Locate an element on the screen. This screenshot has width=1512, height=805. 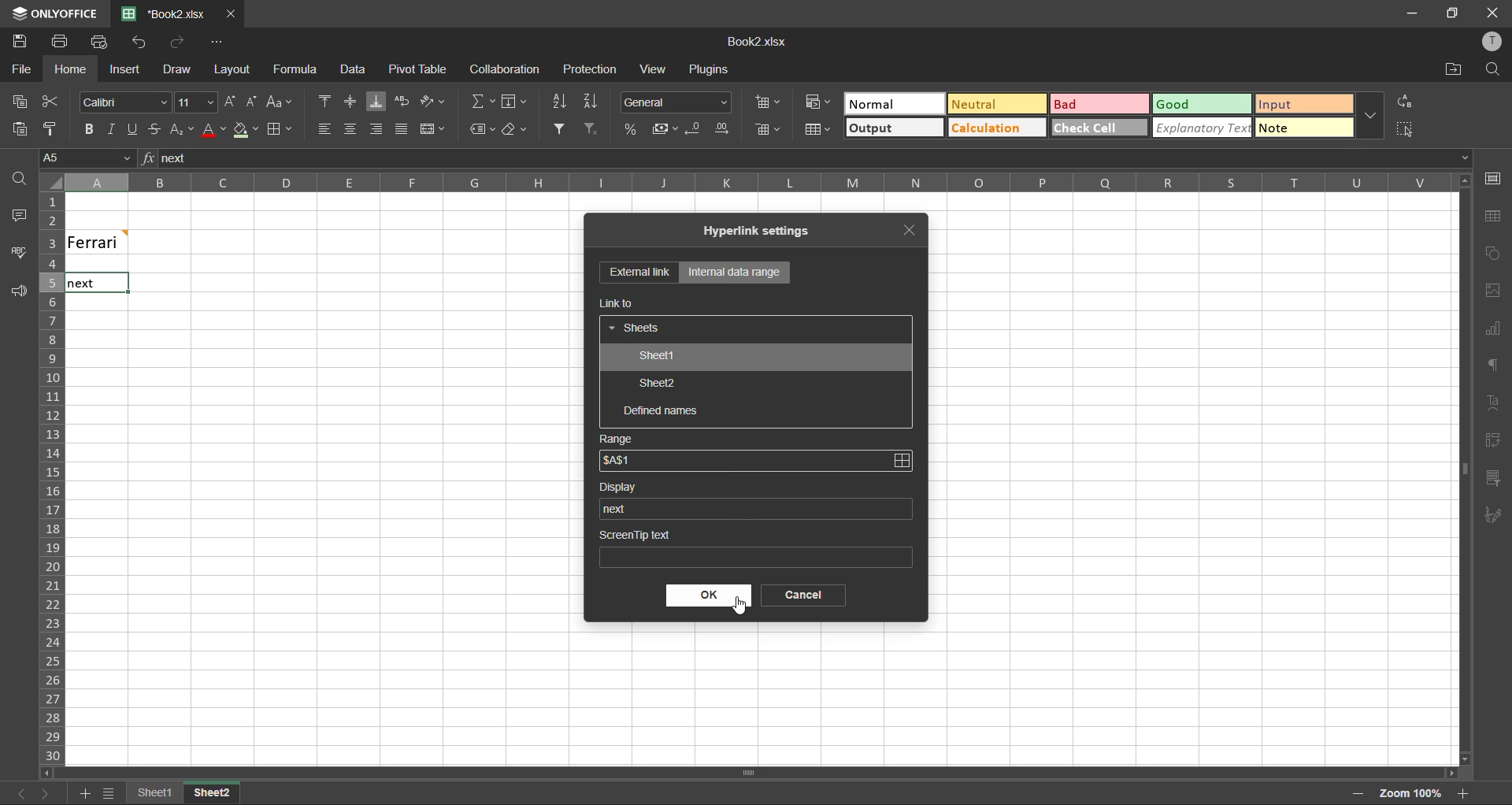
zoom factor is located at coordinates (1407, 792).